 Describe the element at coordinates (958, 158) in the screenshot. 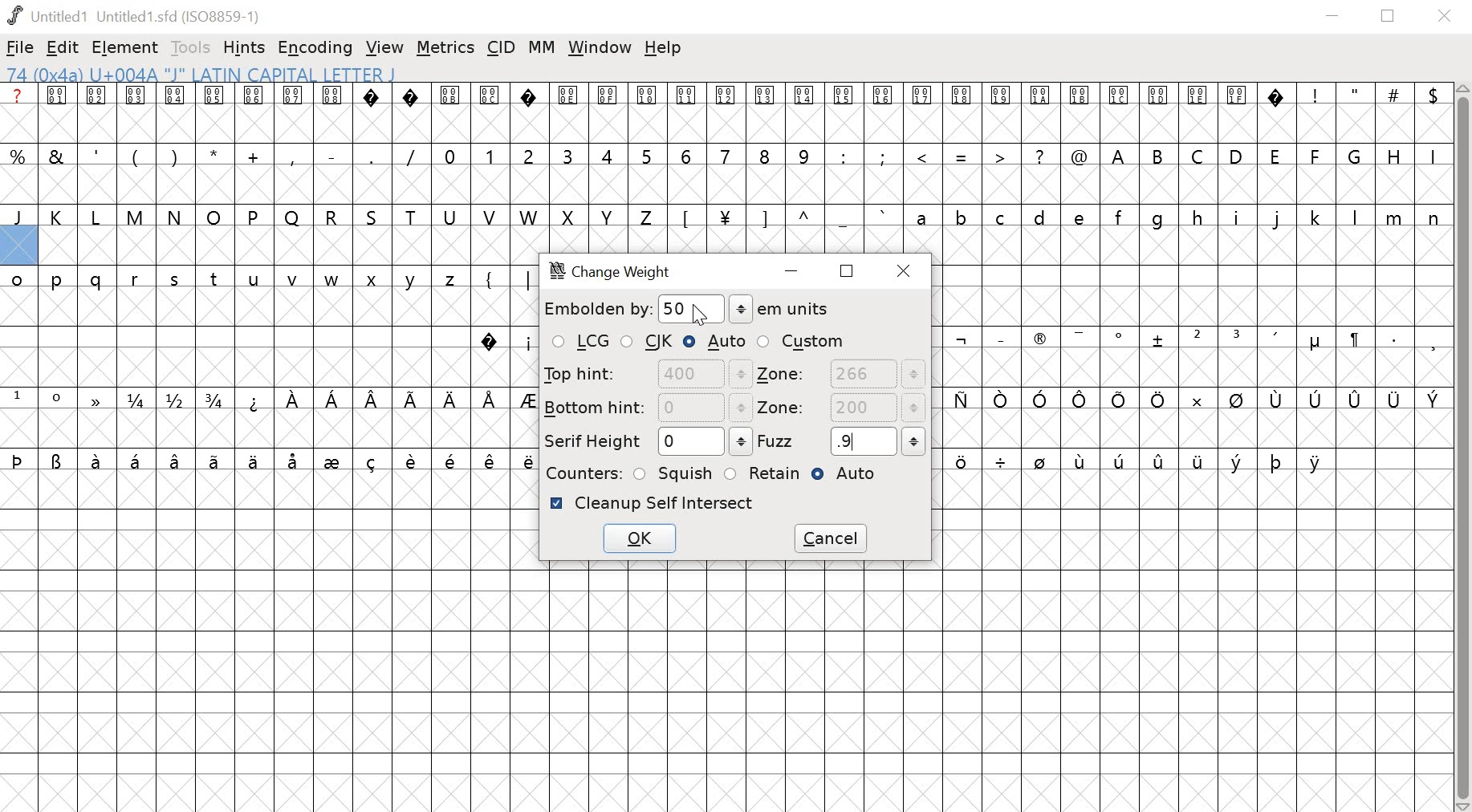

I see `special characters` at that location.